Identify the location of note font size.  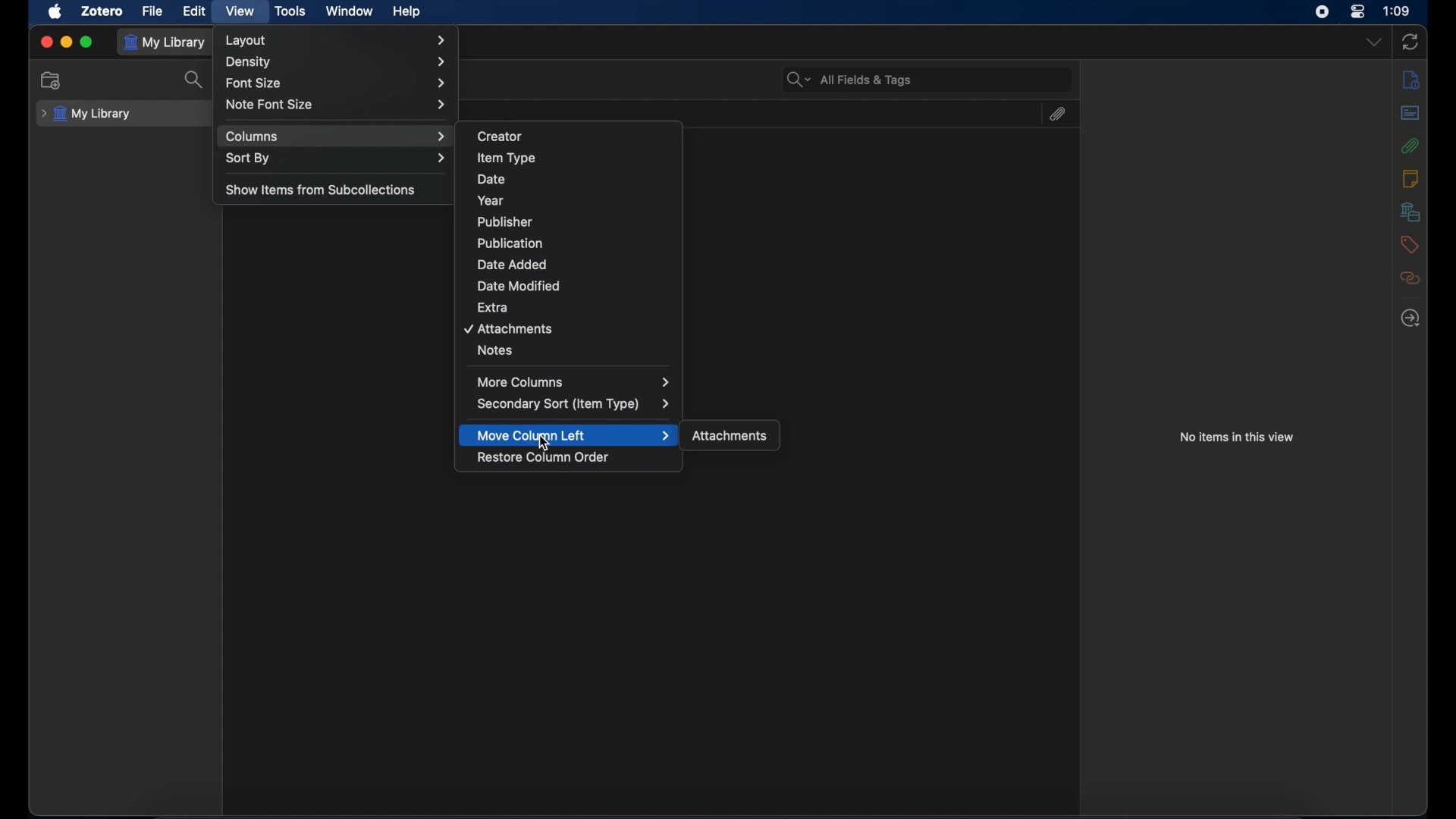
(337, 105).